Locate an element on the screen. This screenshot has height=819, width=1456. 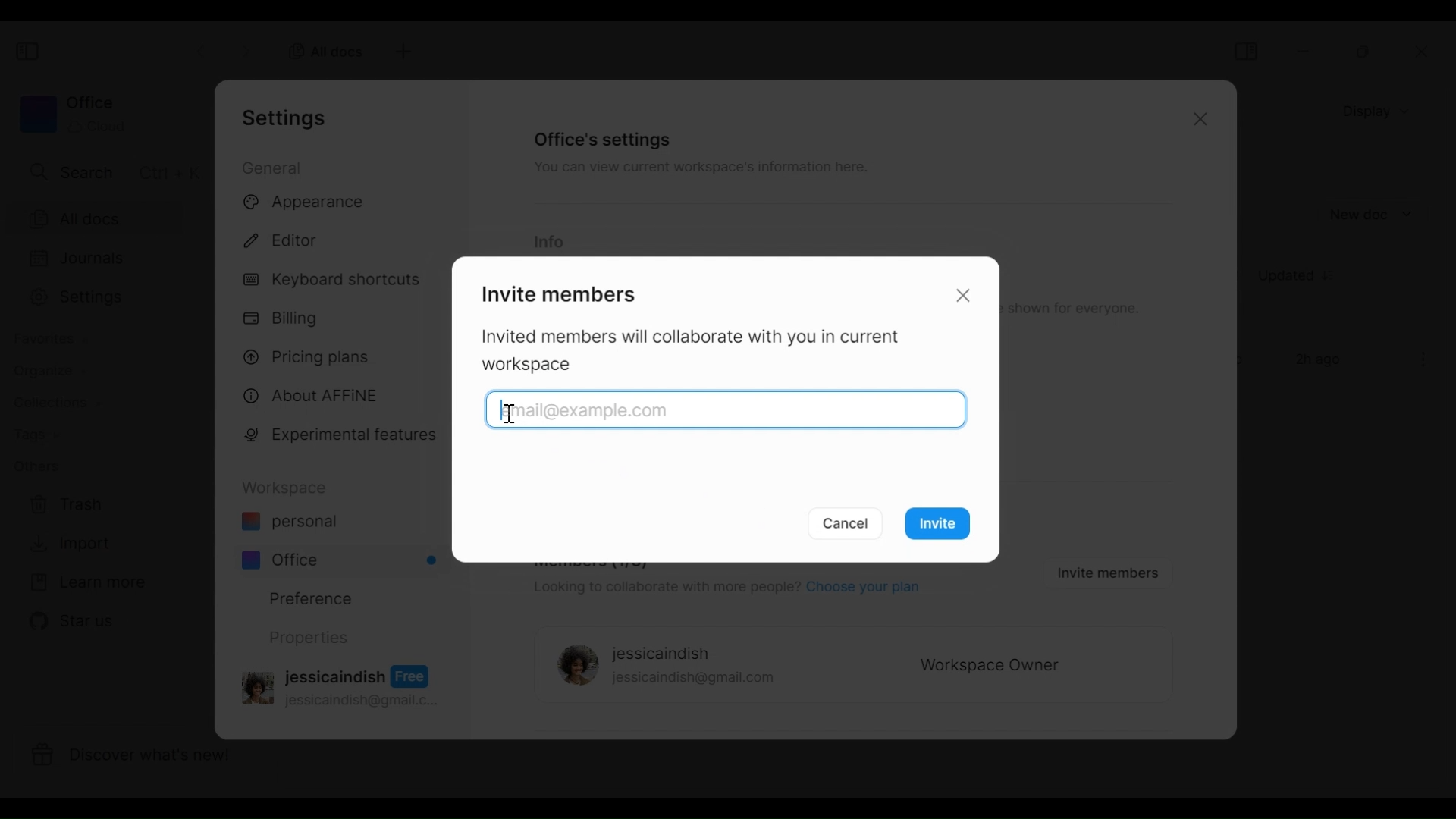
Display is located at coordinates (1380, 110).